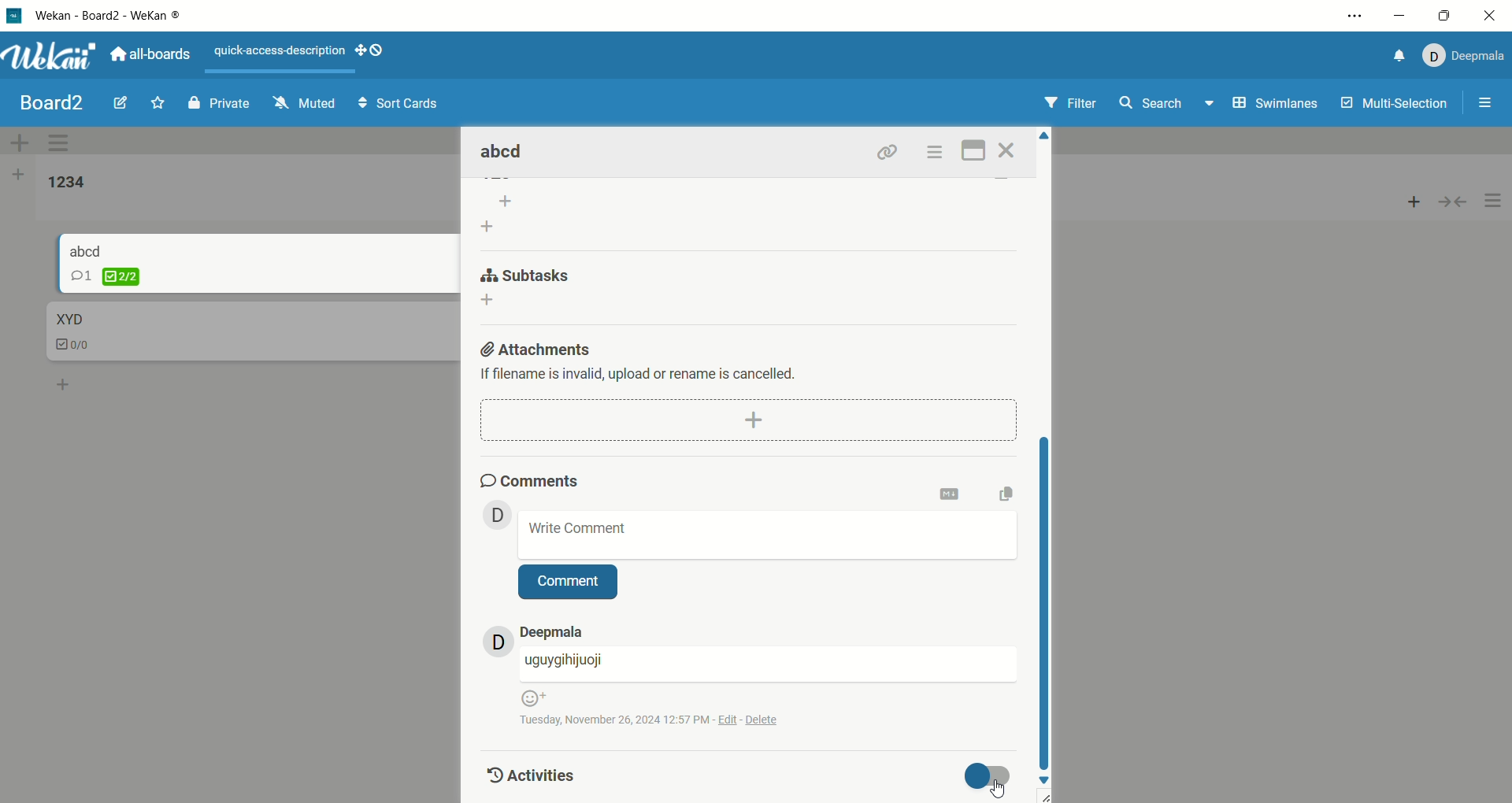 The image size is (1512, 803). I want to click on account, so click(1461, 56).